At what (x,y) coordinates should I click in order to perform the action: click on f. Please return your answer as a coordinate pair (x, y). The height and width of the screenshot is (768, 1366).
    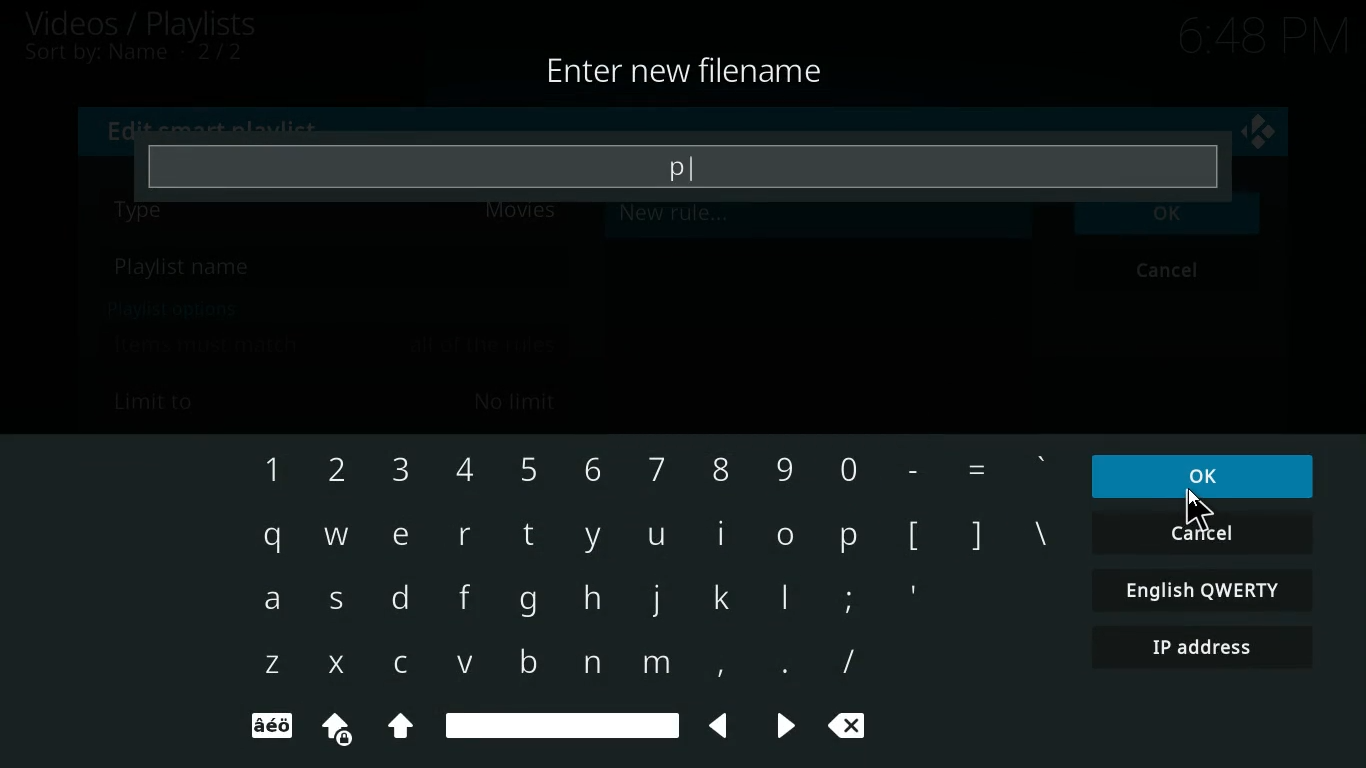
    Looking at the image, I should click on (457, 600).